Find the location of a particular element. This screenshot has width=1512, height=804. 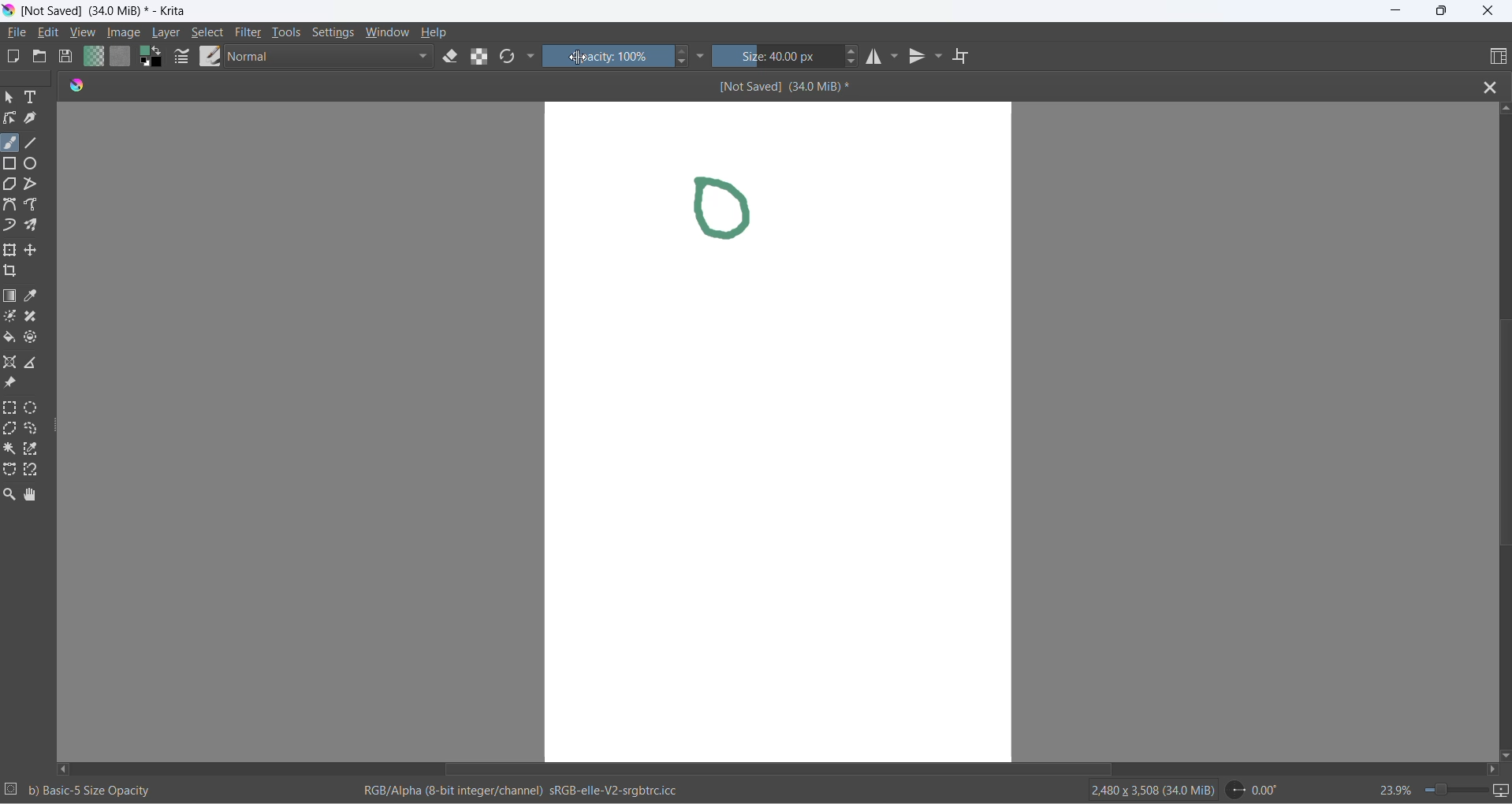

tools is located at coordinates (288, 32).